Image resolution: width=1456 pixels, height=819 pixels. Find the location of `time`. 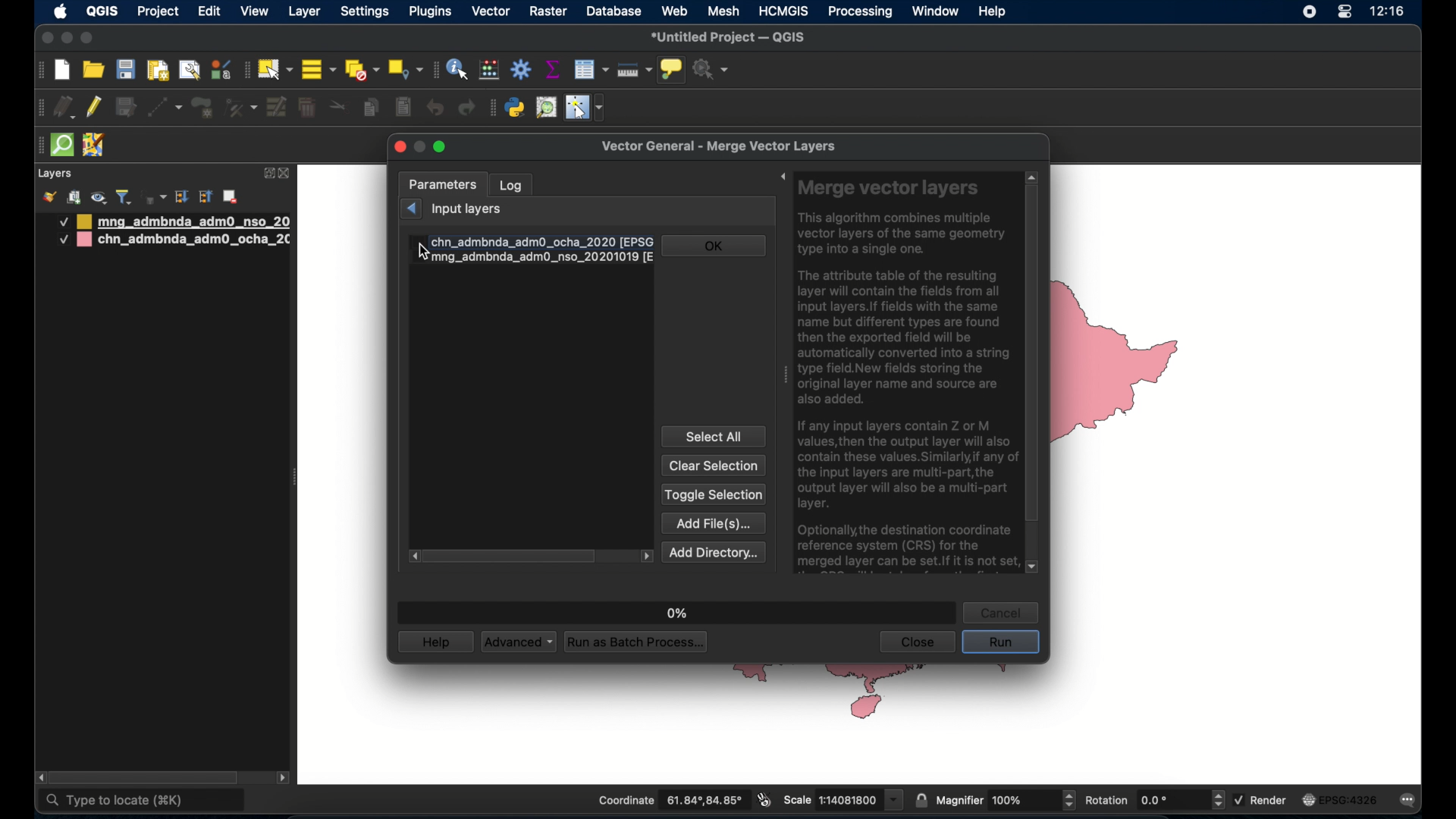

time is located at coordinates (1388, 13).